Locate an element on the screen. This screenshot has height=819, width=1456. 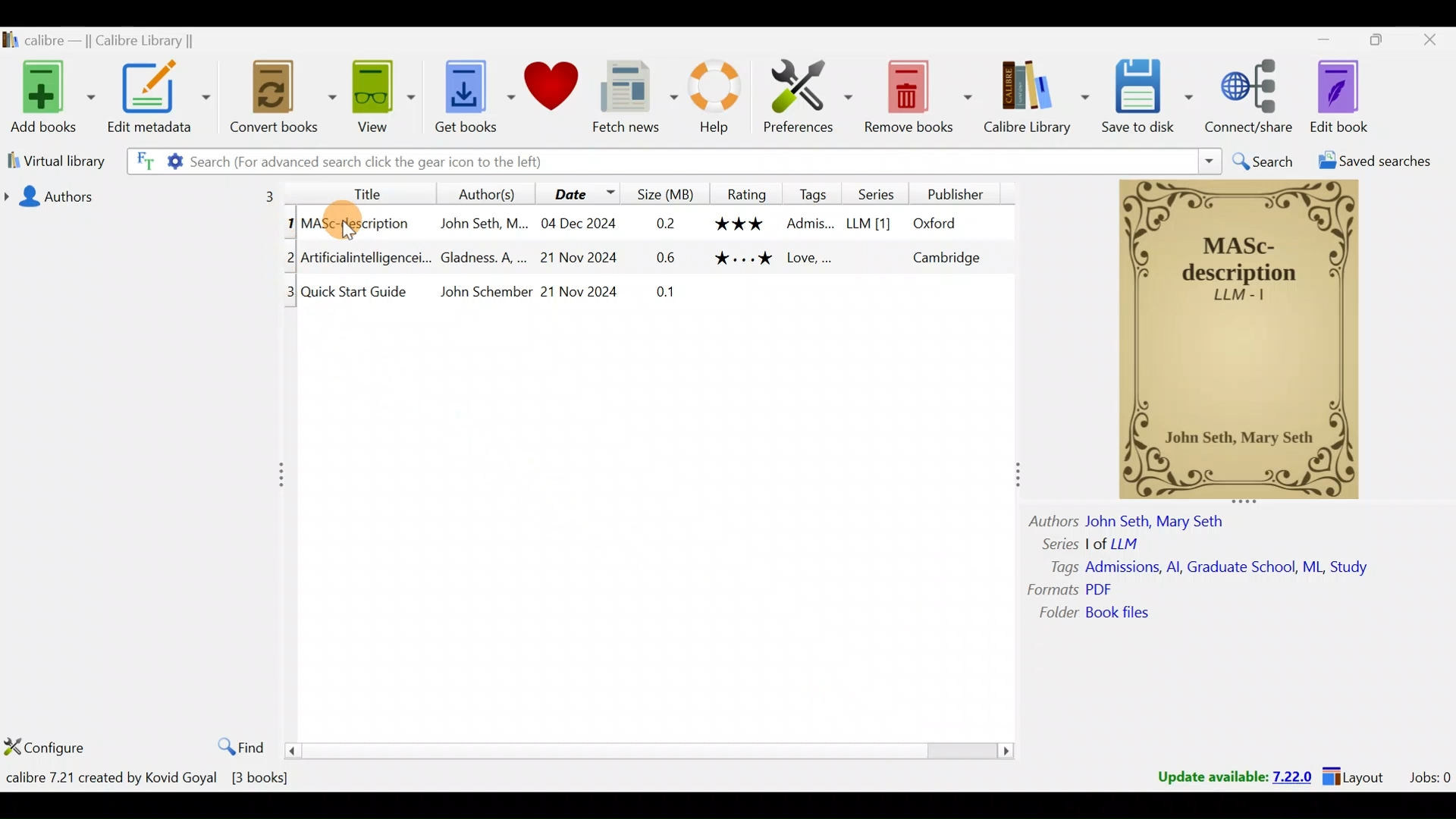
Virtual library is located at coordinates (56, 162).